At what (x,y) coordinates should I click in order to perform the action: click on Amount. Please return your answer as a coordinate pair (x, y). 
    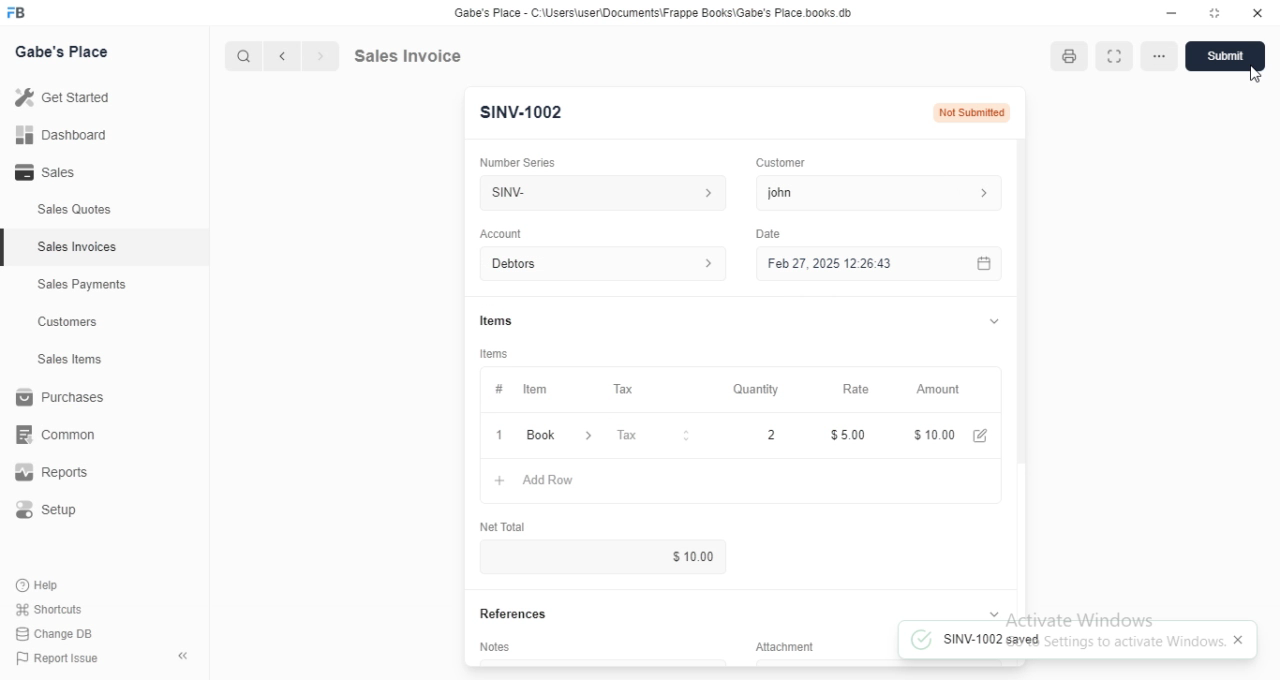
    Looking at the image, I should click on (943, 390).